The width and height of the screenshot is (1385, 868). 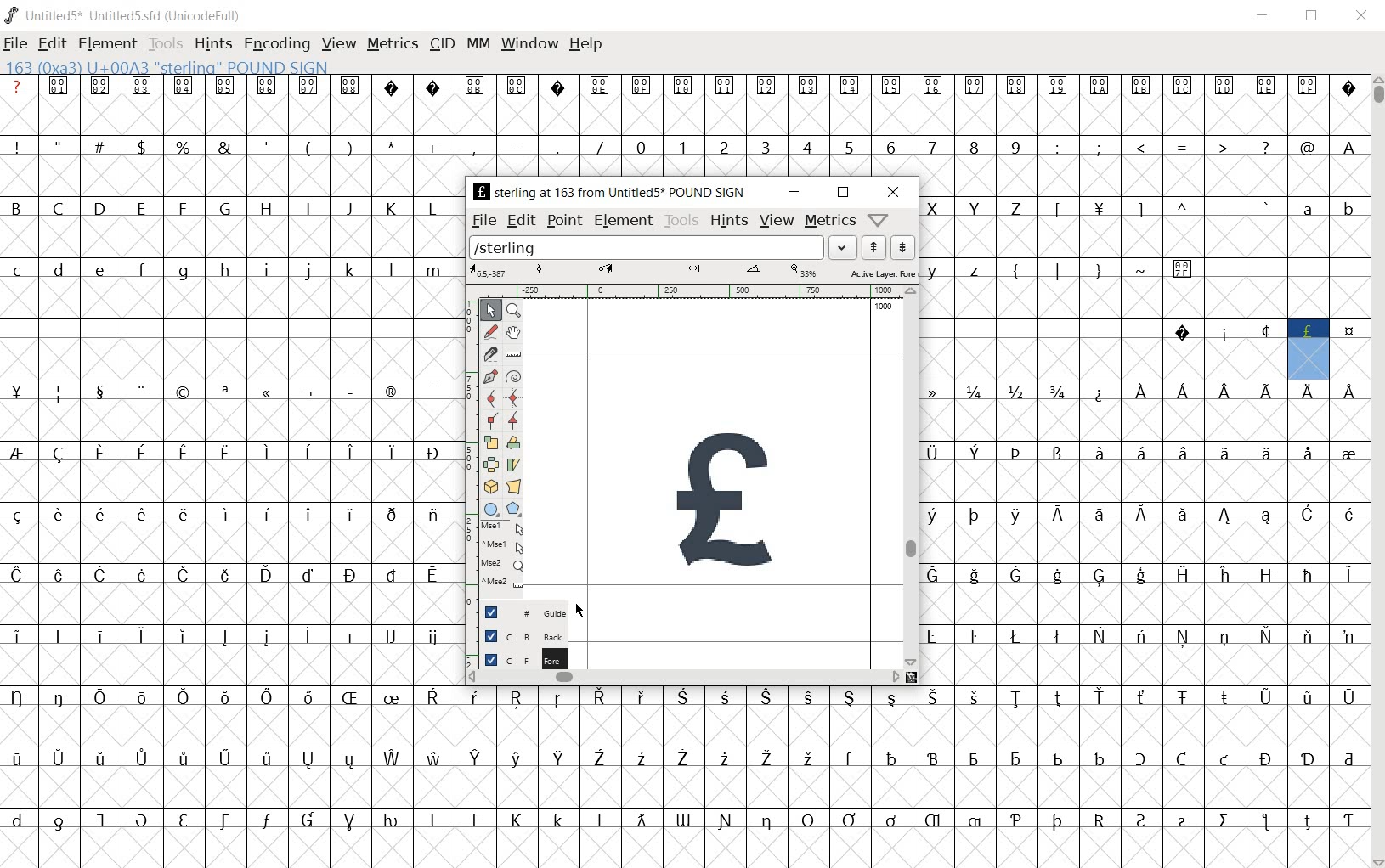 What do you see at coordinates (933, 758) in the screenshot?
I see `Symbol` at bounding box center [933, 758].